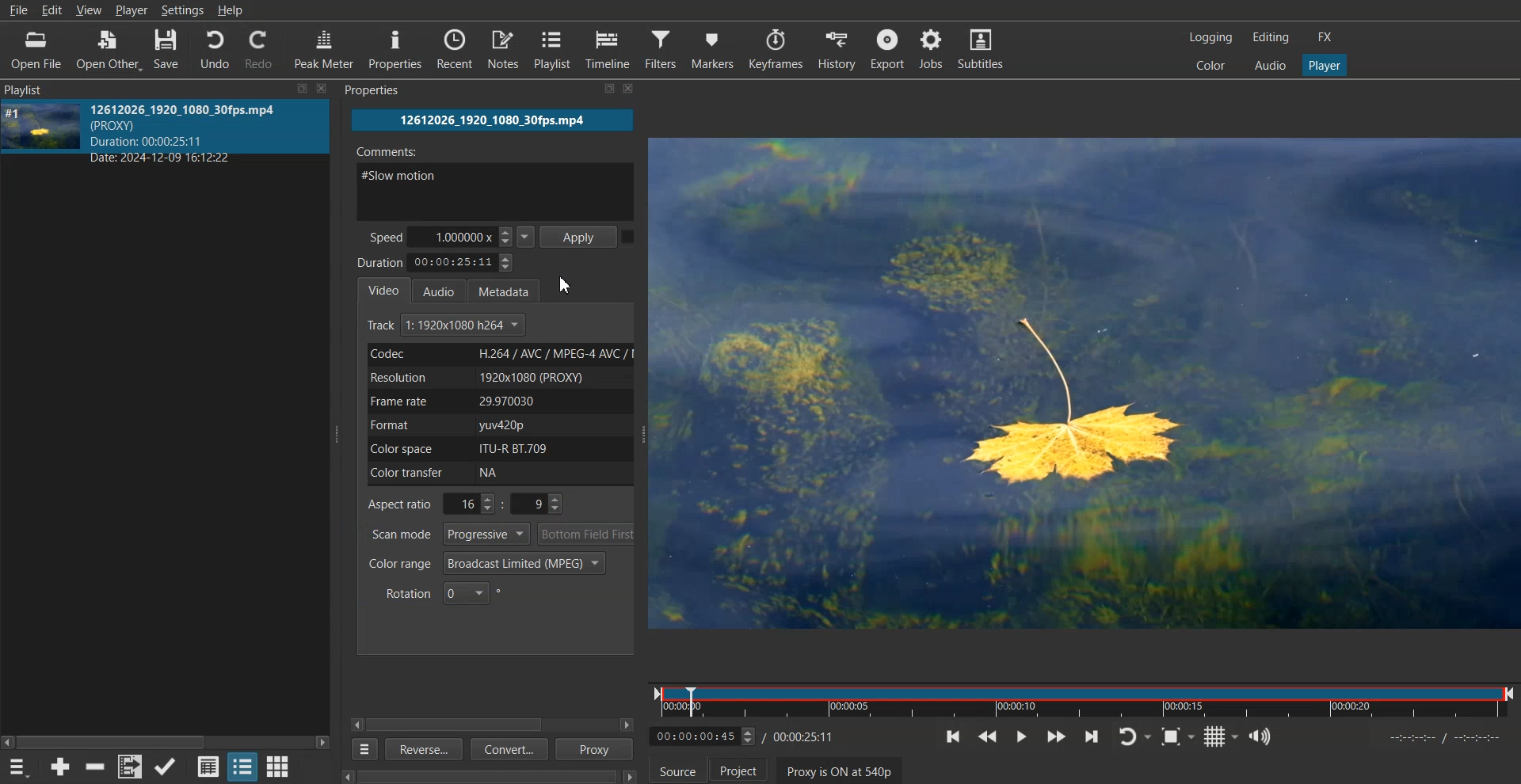 This screenshot has height=784, width=1521. Describe the element at coordinates (1270, 38) in the screenshot. I see `Editing` at that location.